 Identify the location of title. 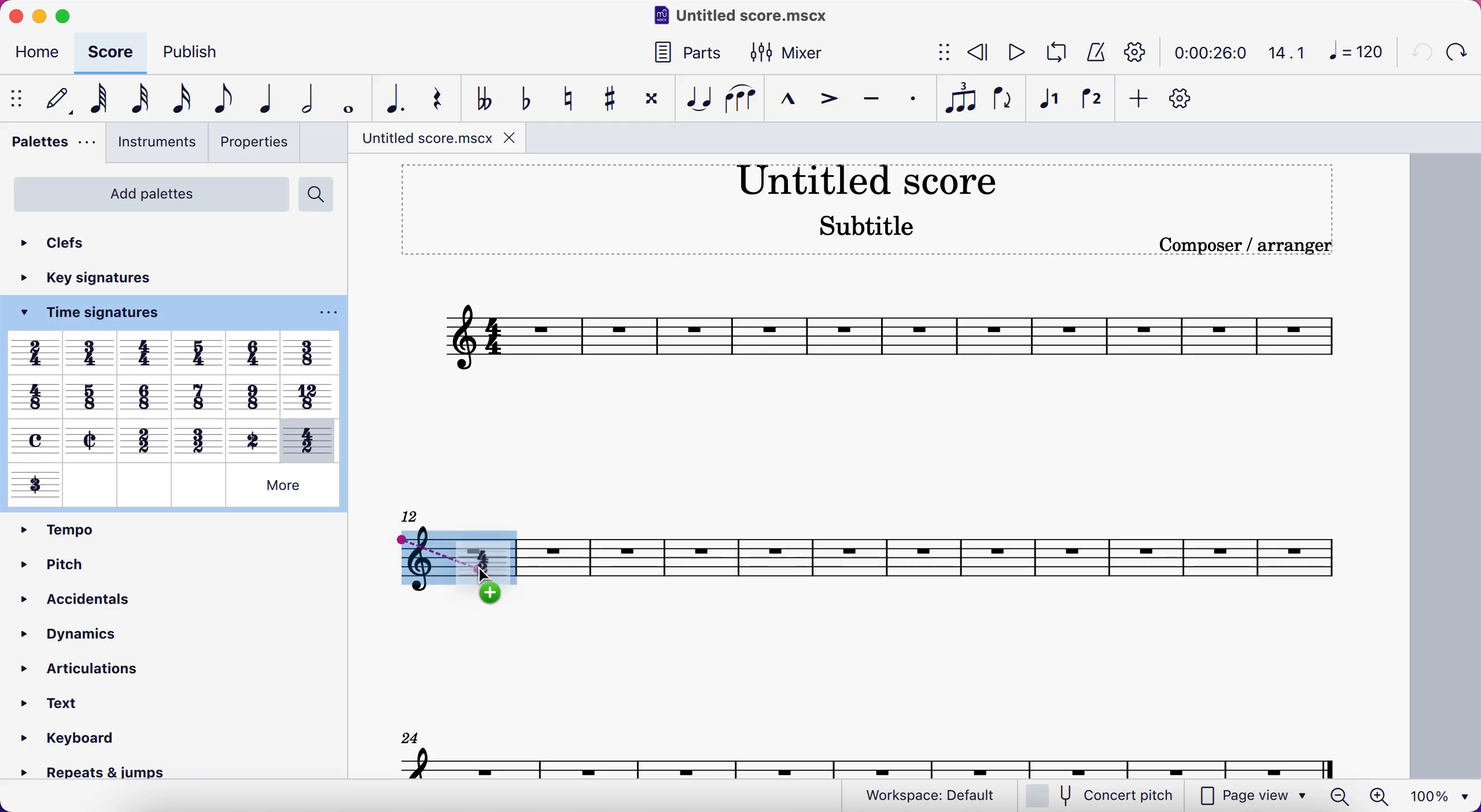
(737, 17).